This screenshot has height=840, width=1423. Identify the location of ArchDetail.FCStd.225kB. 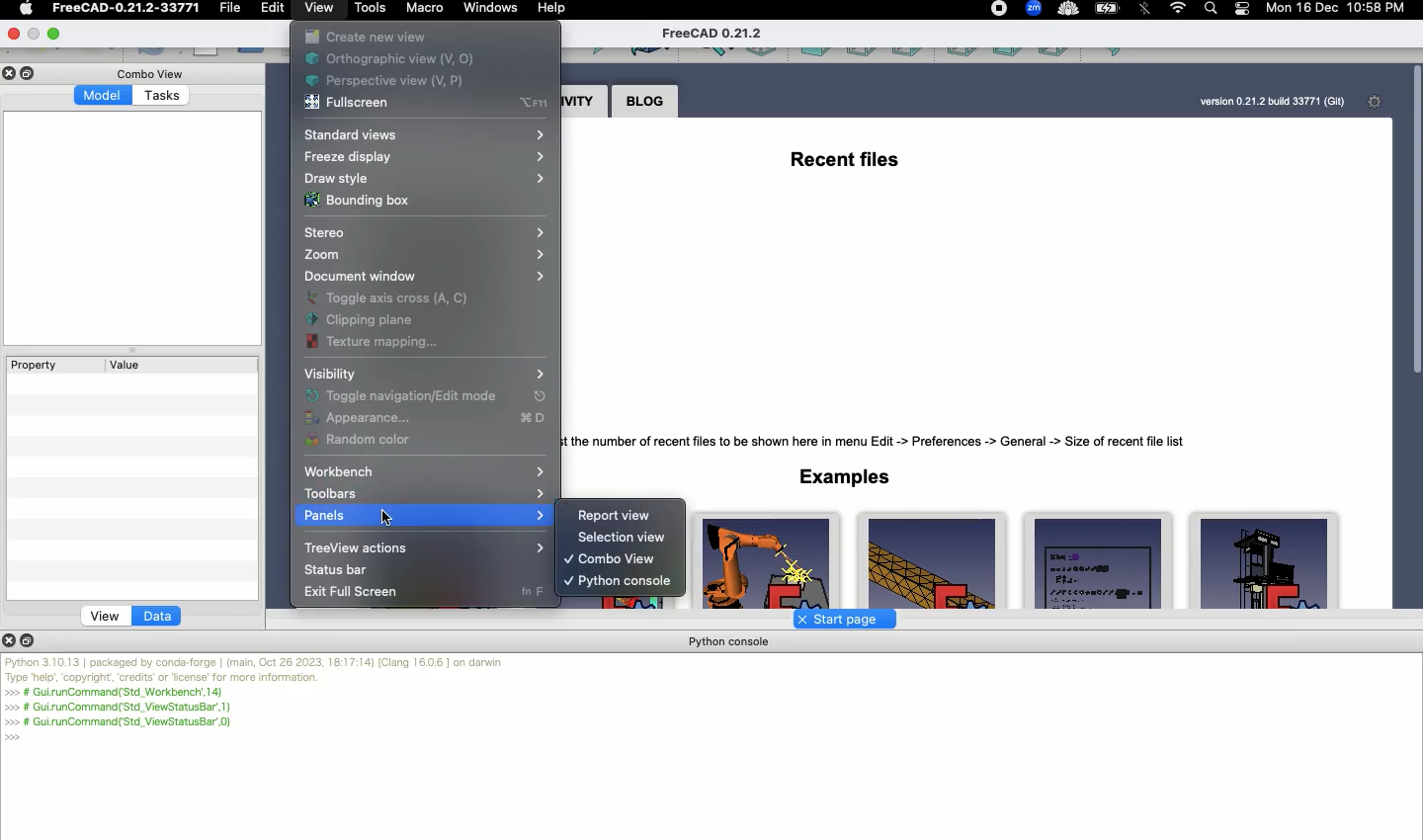
(1265, 561).